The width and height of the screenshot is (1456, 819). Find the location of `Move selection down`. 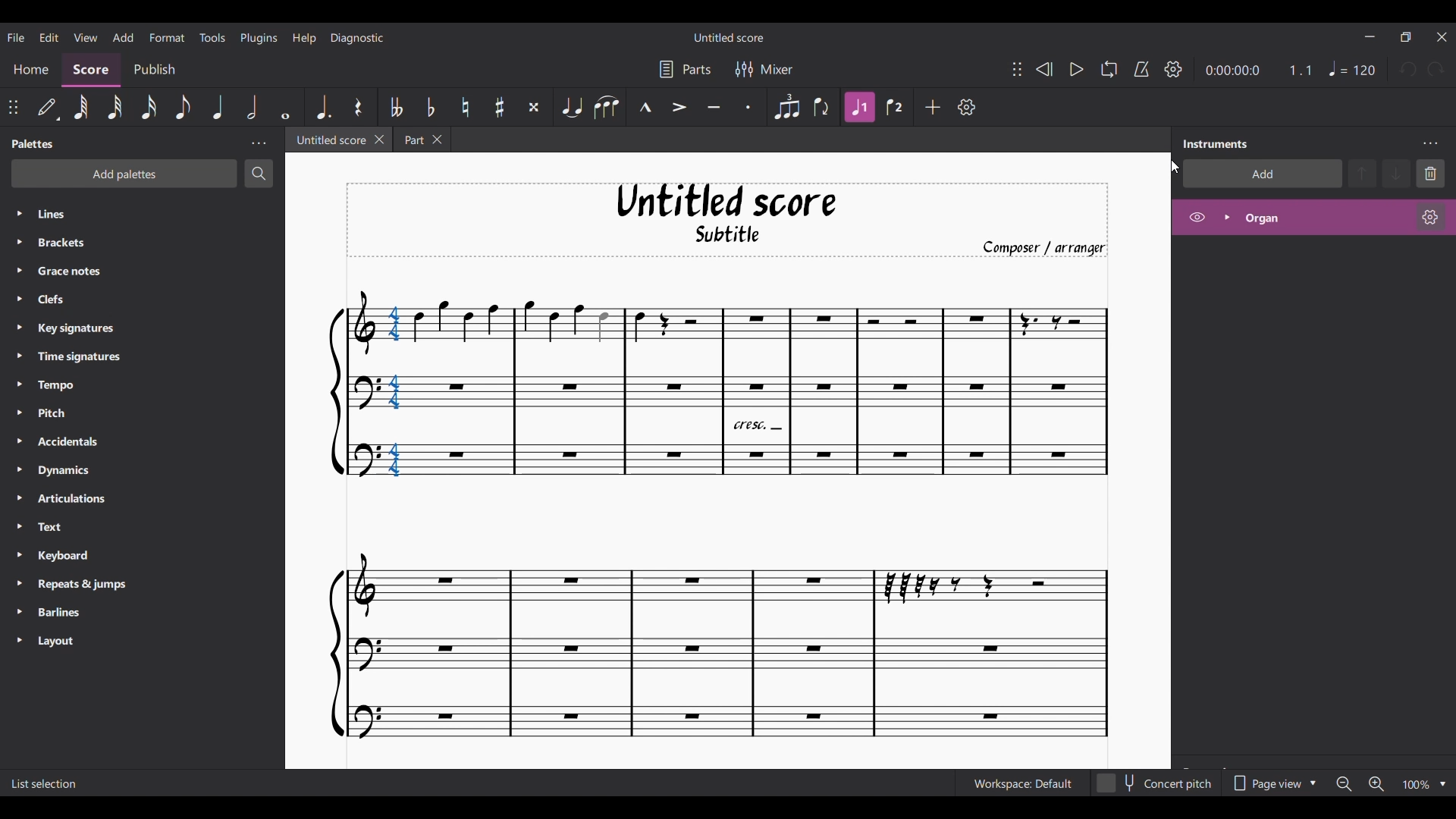

Move selection down is located at coordinates (1397, 173).